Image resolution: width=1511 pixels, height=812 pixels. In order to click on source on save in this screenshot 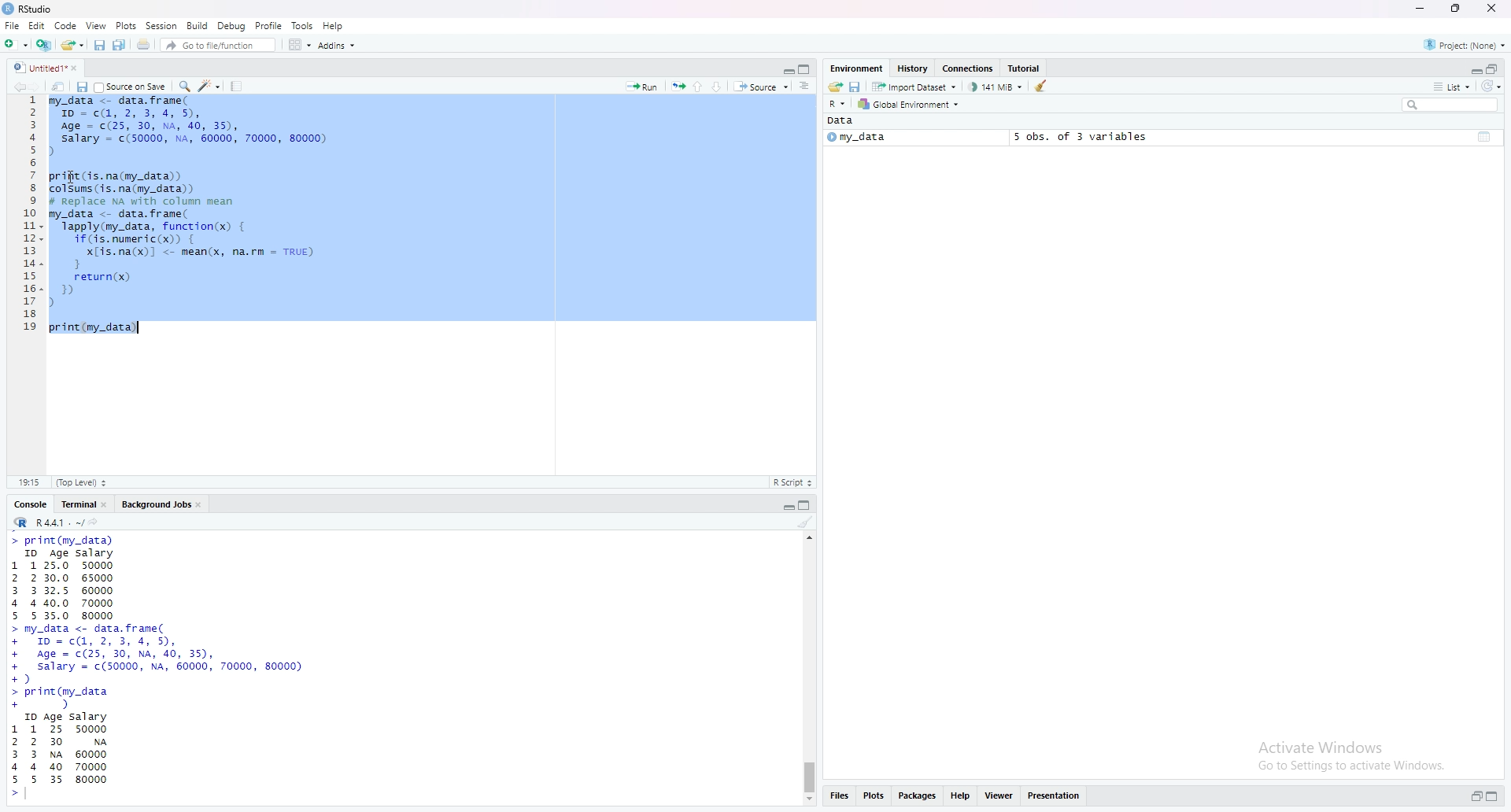, I will do `click(131, 87)`.